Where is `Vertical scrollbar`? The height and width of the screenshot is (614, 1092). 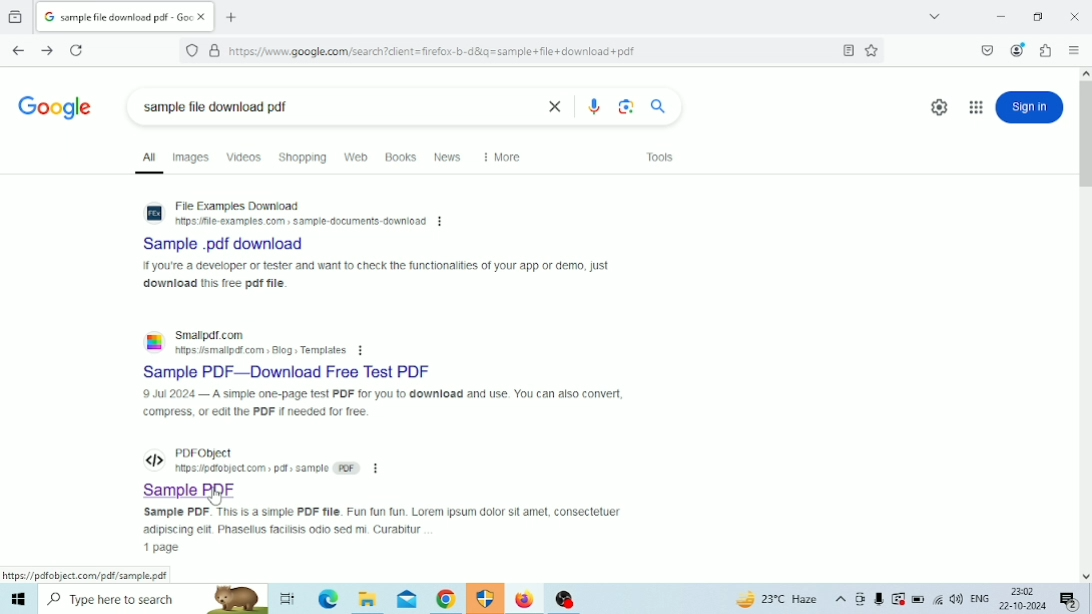
Vertical scrollbar is located at coordinates (1085, 133).